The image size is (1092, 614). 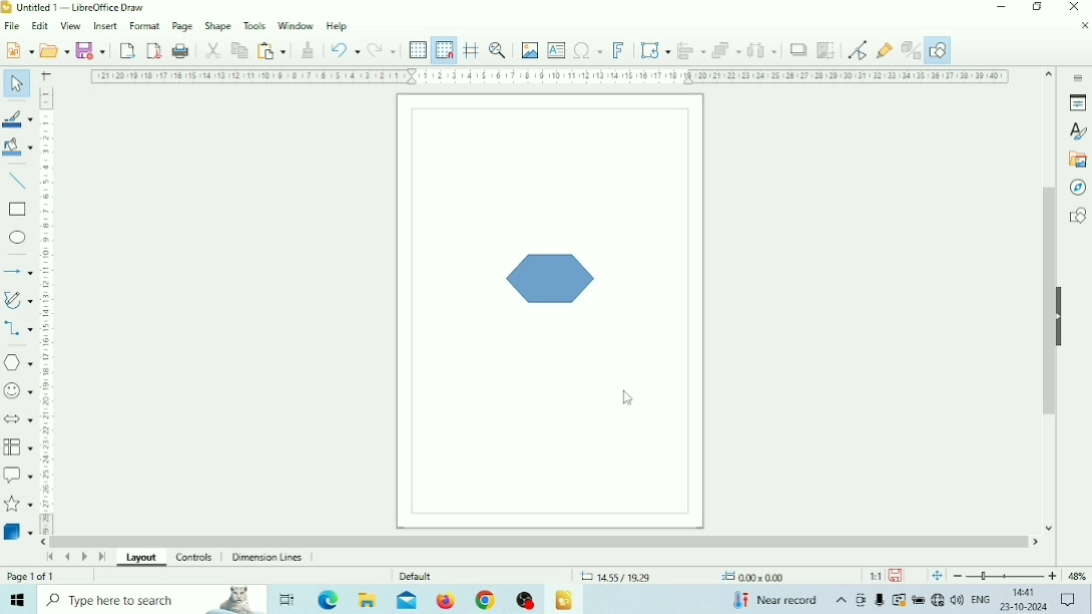 I want to click on Callout Shapes, so click(x=18, y=475).